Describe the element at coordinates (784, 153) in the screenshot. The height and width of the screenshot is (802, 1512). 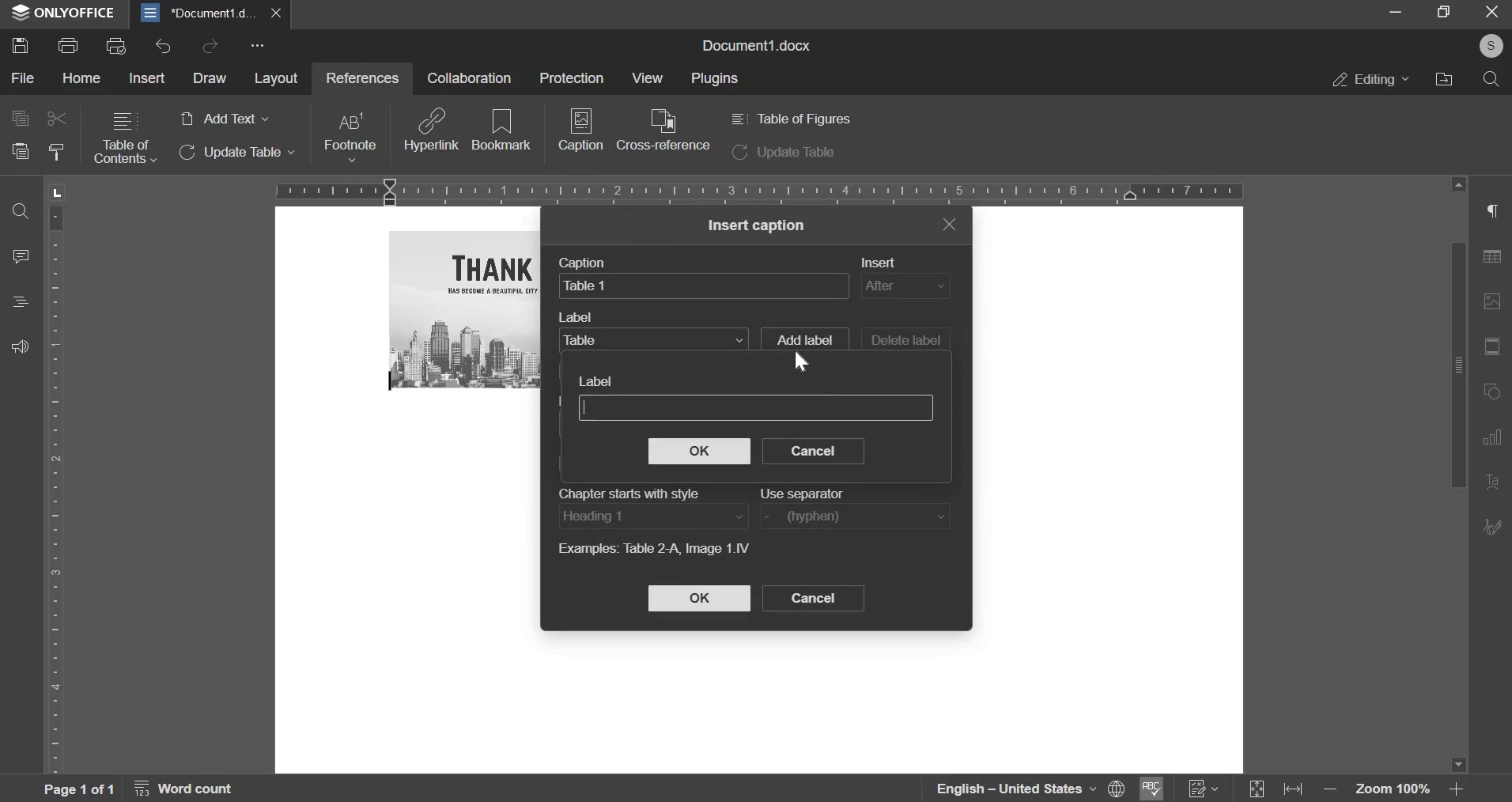
I see `update table` at that location.